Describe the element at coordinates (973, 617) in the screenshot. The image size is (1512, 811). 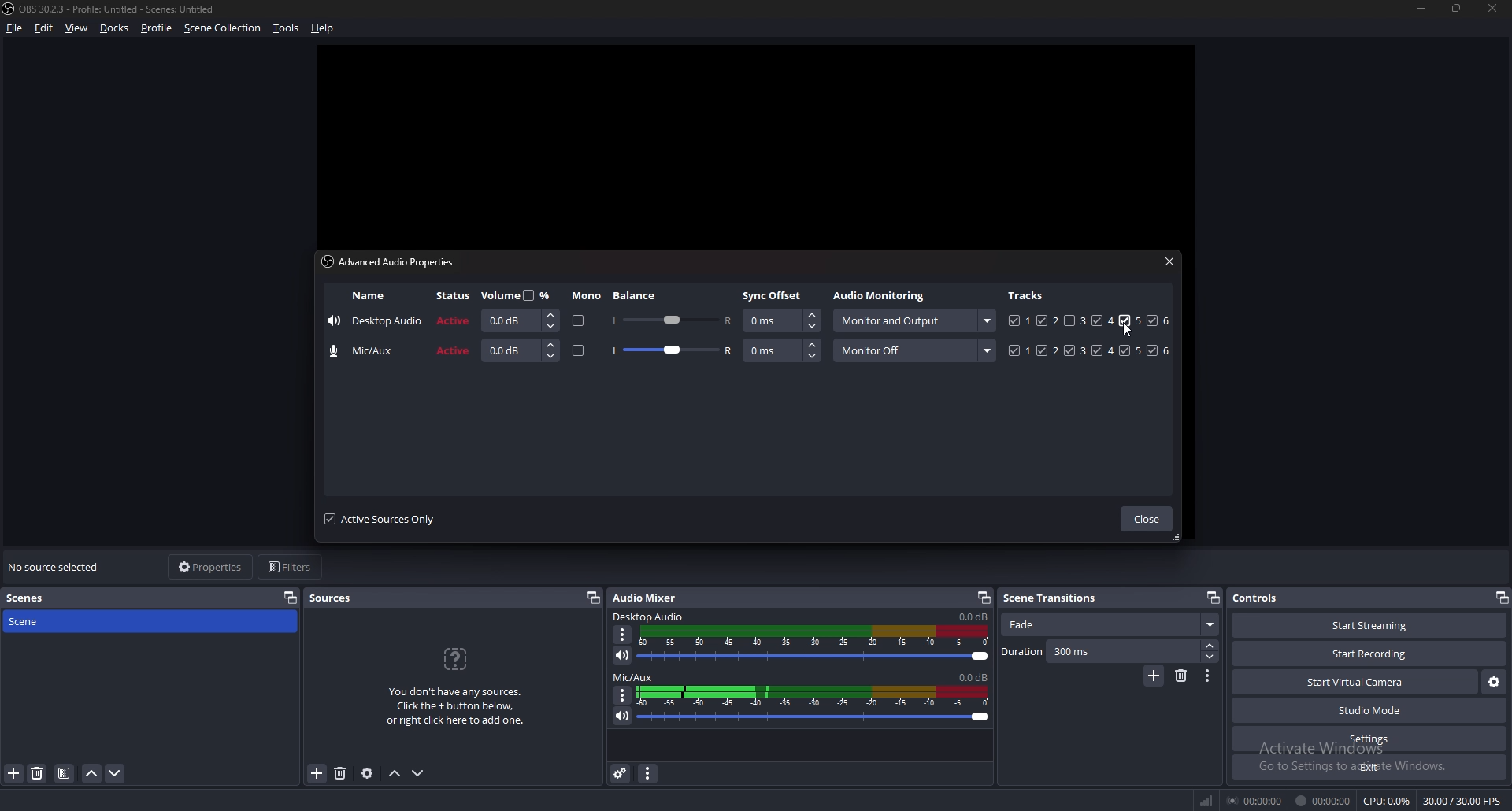
I see `desktop audio sound` at that location.